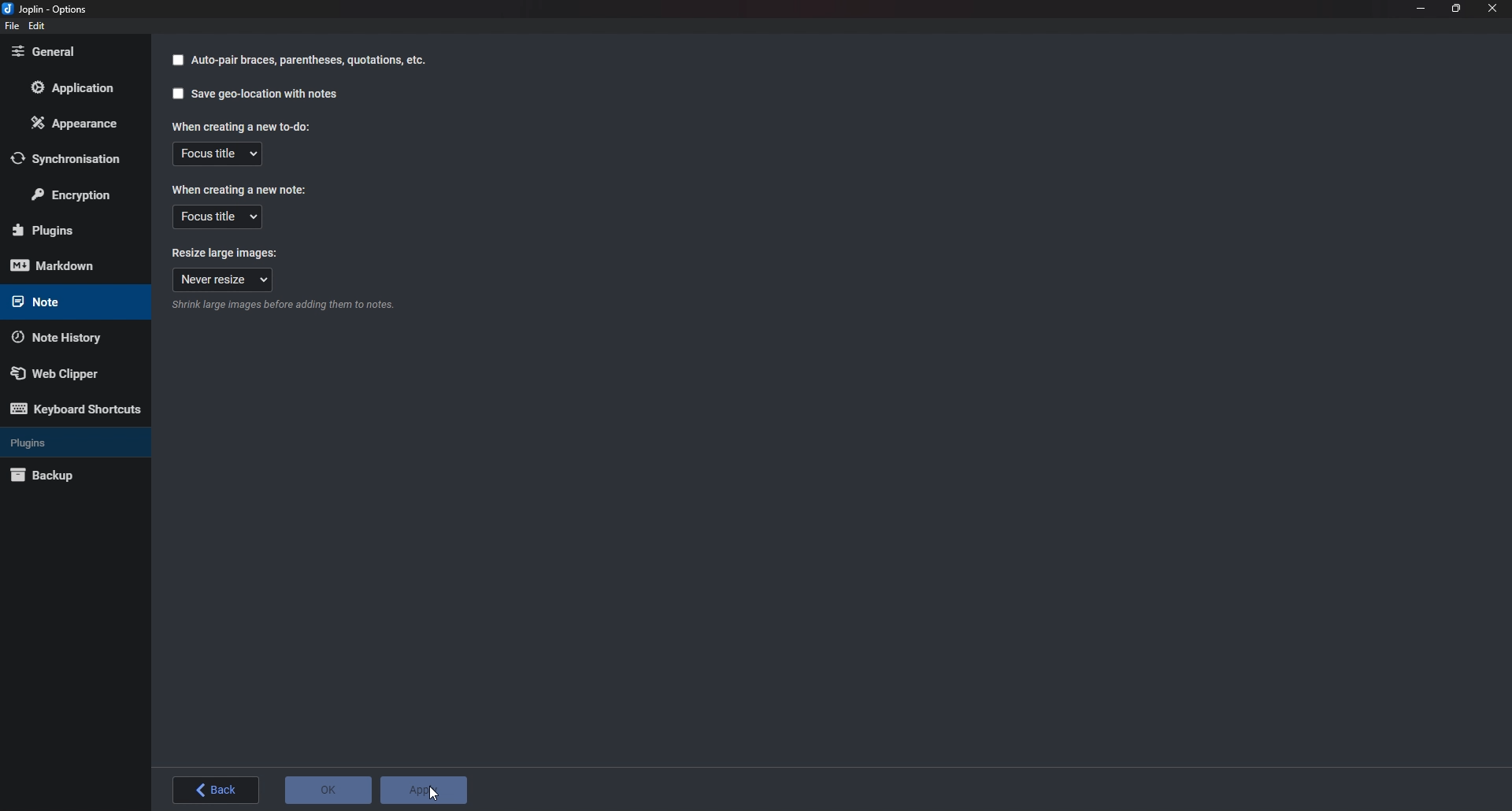  What do you see at coordinates (76, 193) in the screenshot?
I see `Encryption` at bounding box center [76, 193].